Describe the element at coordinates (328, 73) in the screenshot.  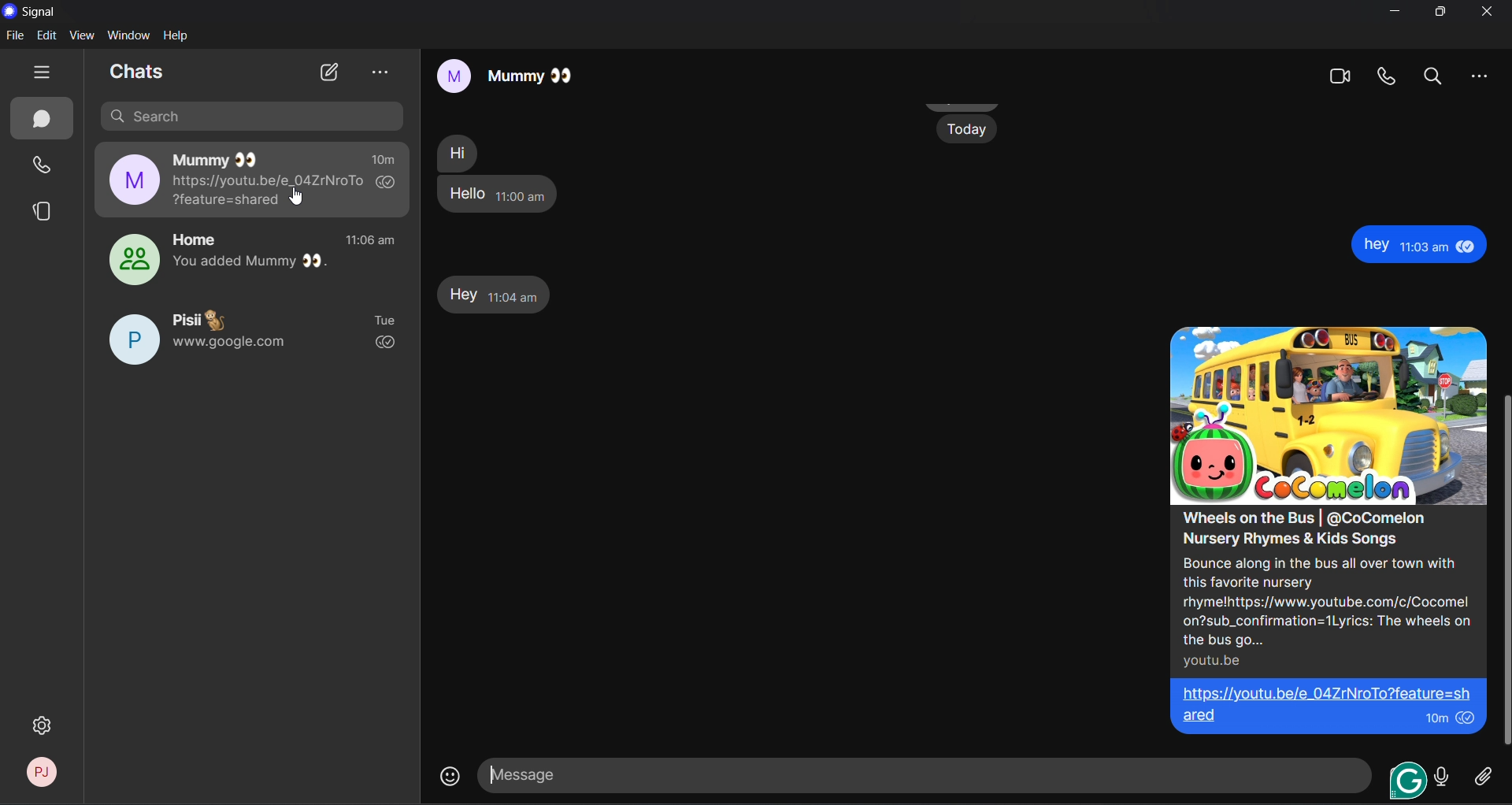
I see `new chat` at that location.